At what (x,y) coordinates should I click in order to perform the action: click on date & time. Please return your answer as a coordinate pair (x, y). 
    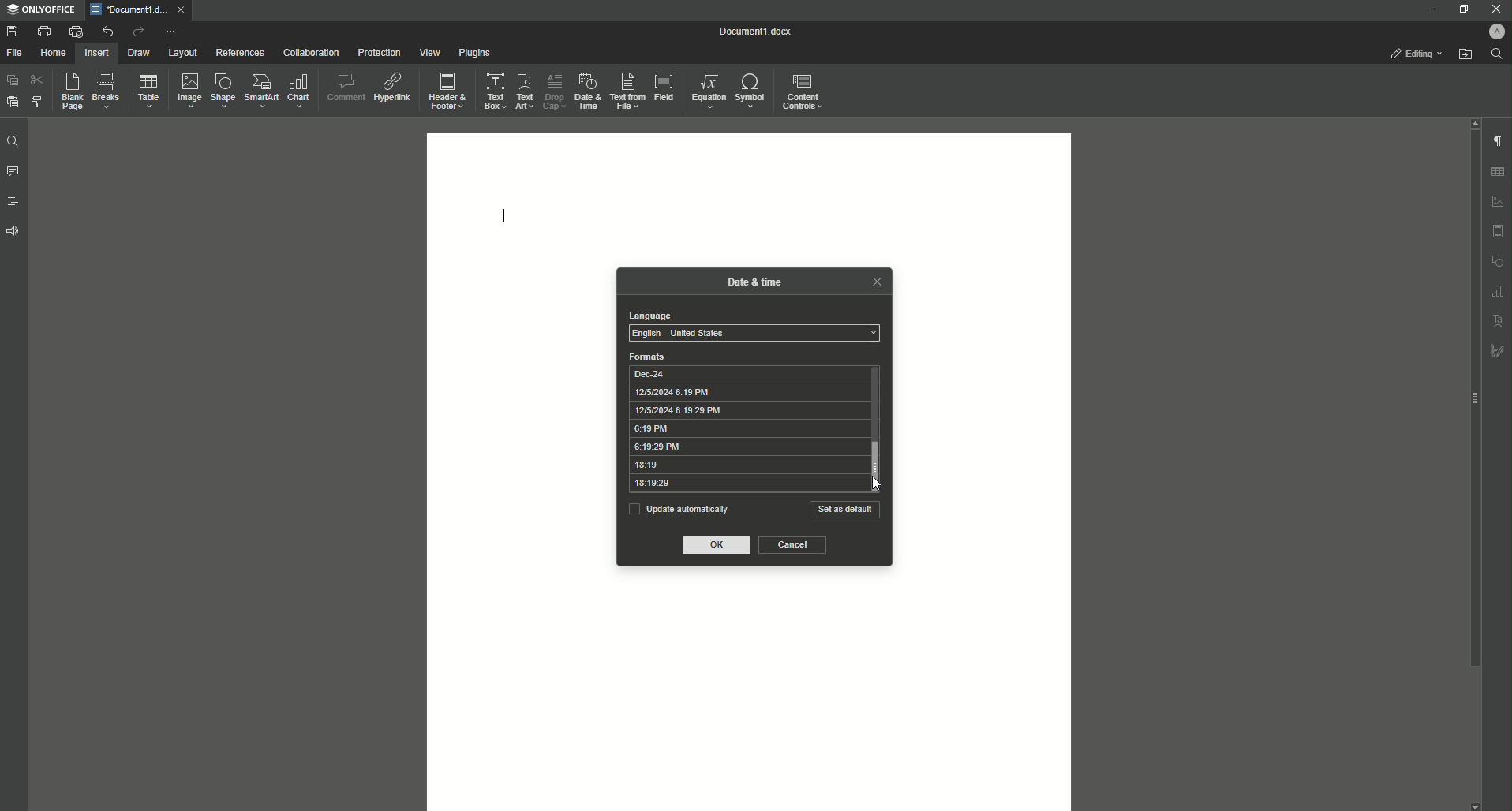
    Looking at the image, I should click on (755, 280).